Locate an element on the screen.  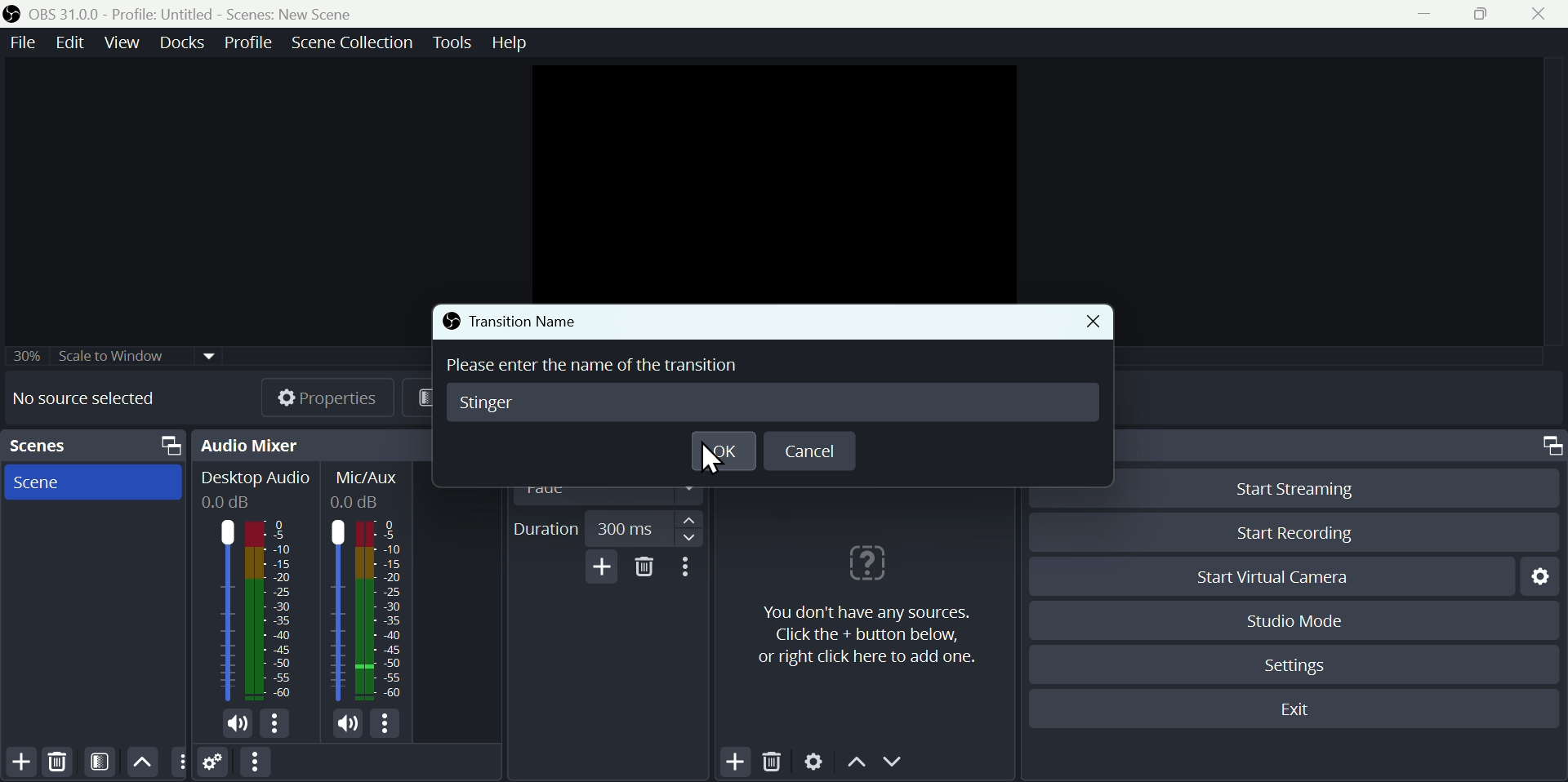
OK is located at coordinates (725, 451).